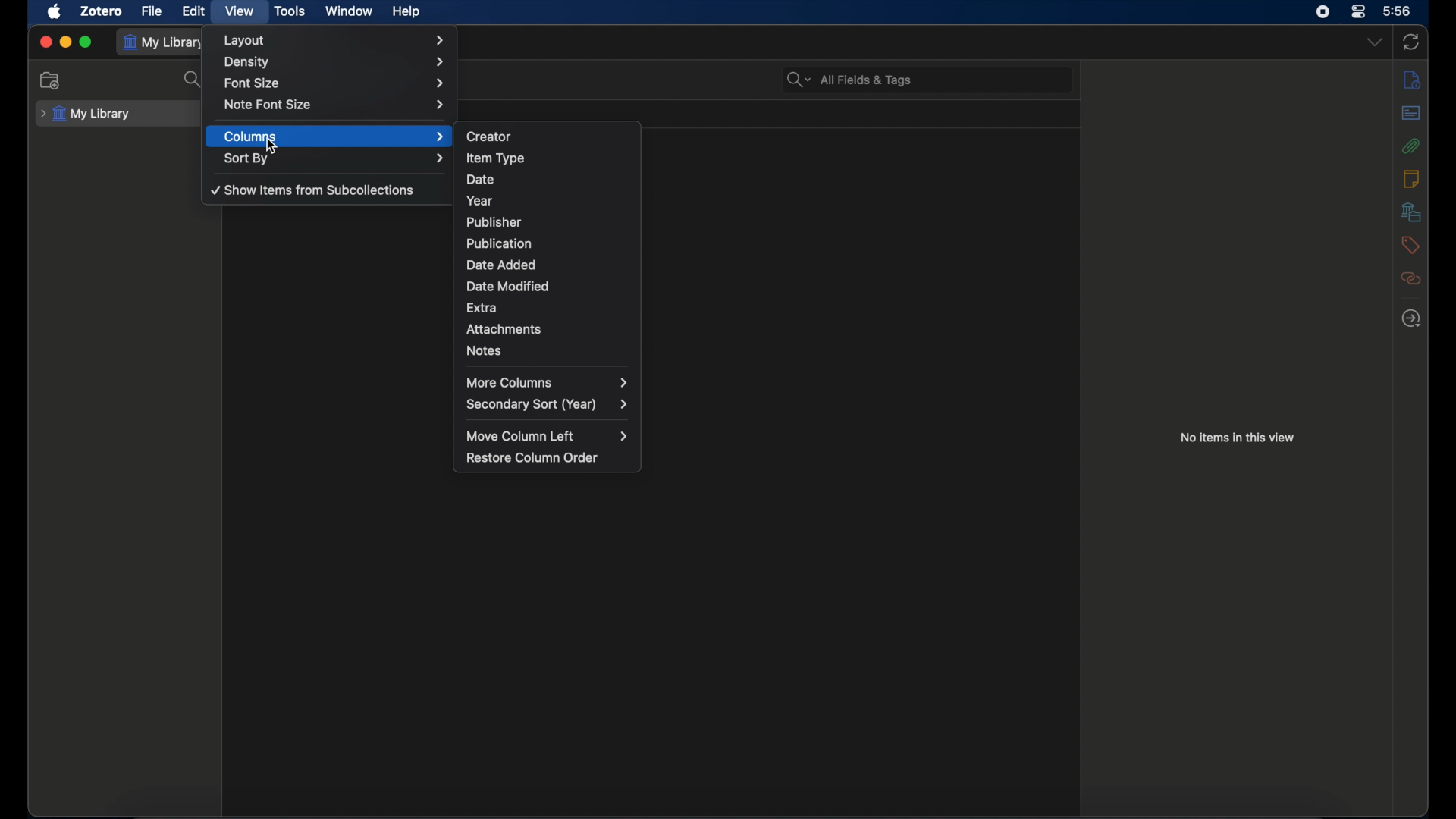  What do you see at coordinates (547, 405) in the screenshot?
I see `secondary sort` at bounding box center [547, 405].